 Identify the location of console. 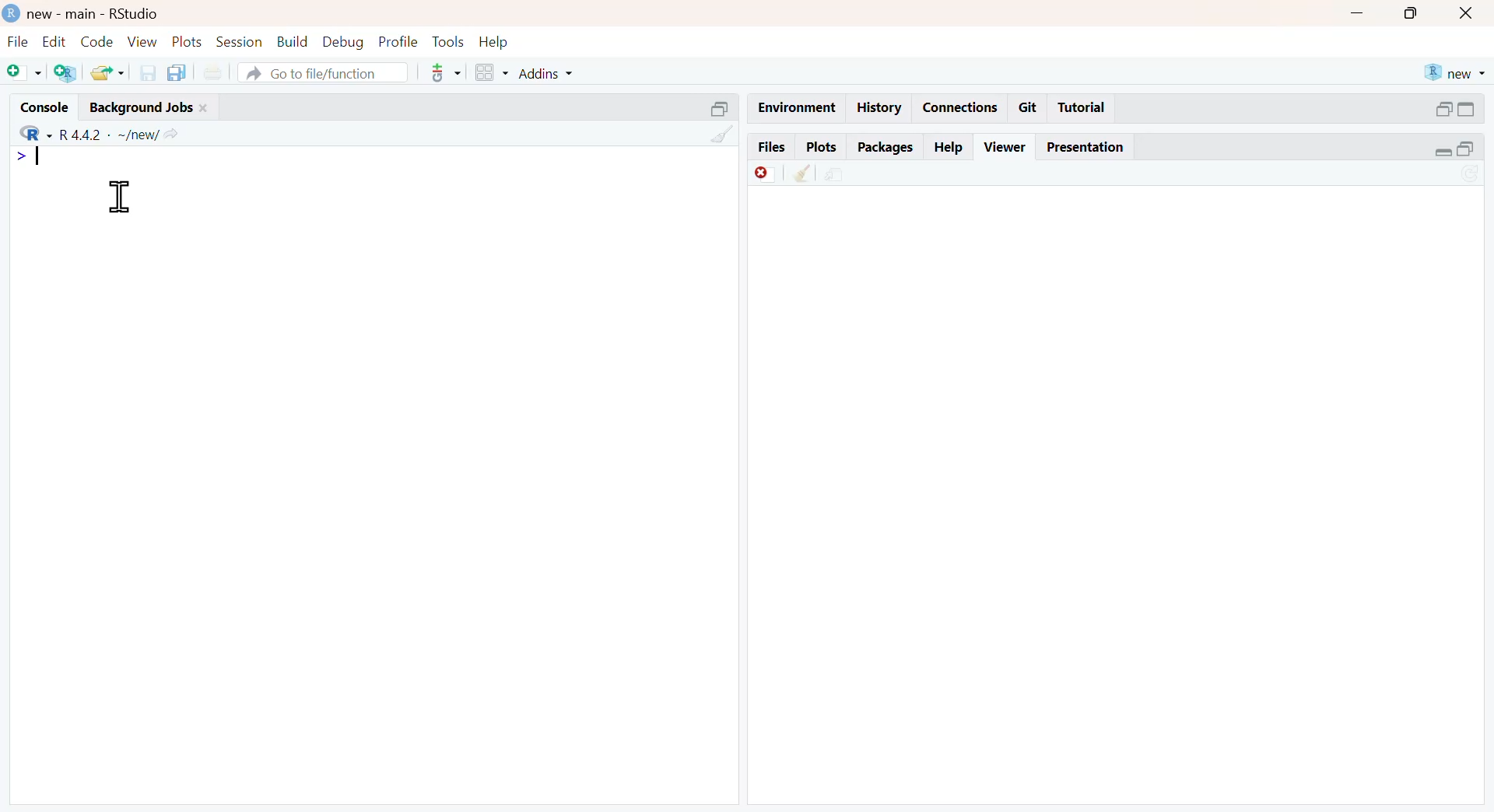
(45, 107).